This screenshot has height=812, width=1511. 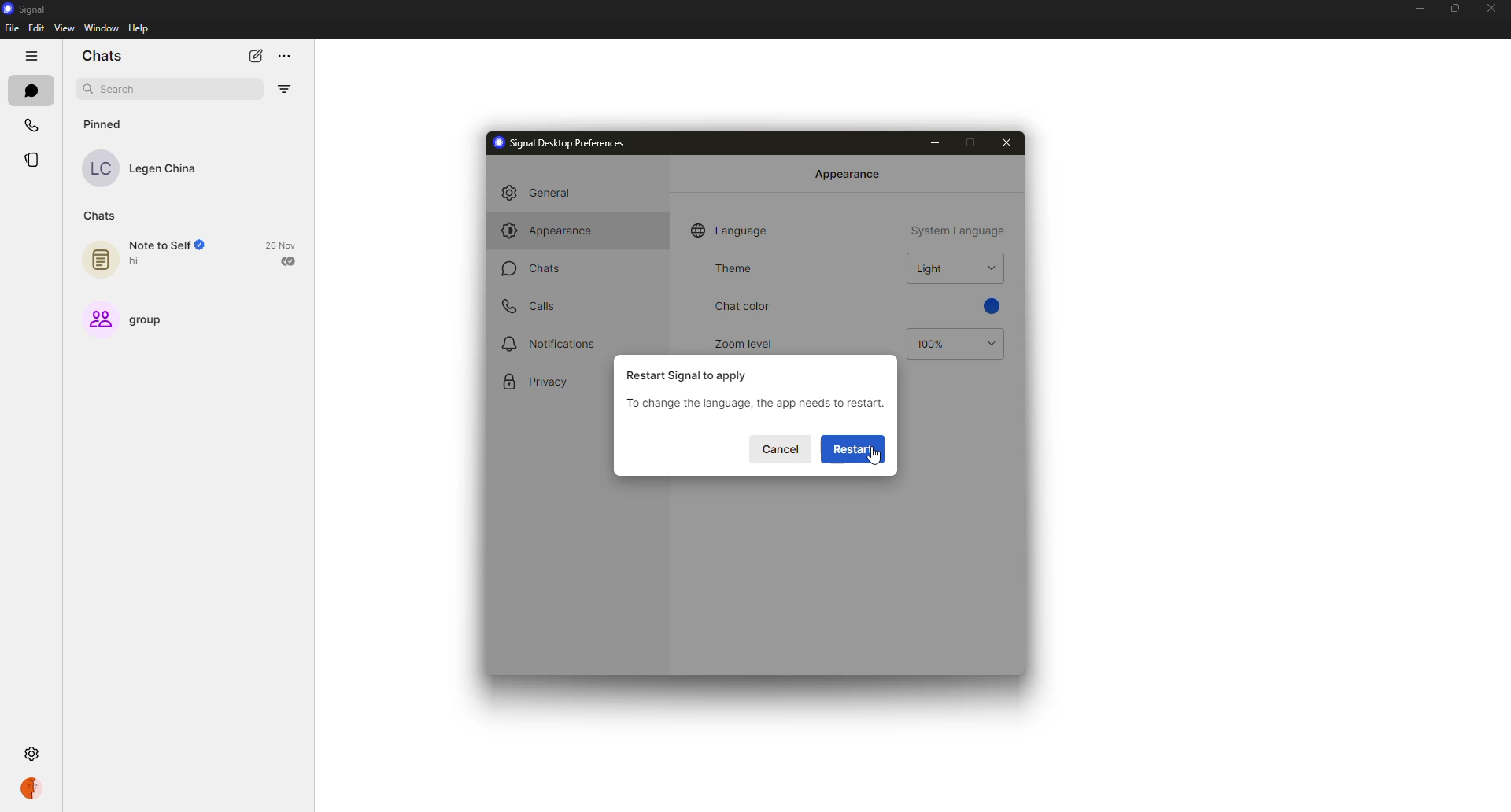 I want to click on chat color, so click(x=744, y=305).